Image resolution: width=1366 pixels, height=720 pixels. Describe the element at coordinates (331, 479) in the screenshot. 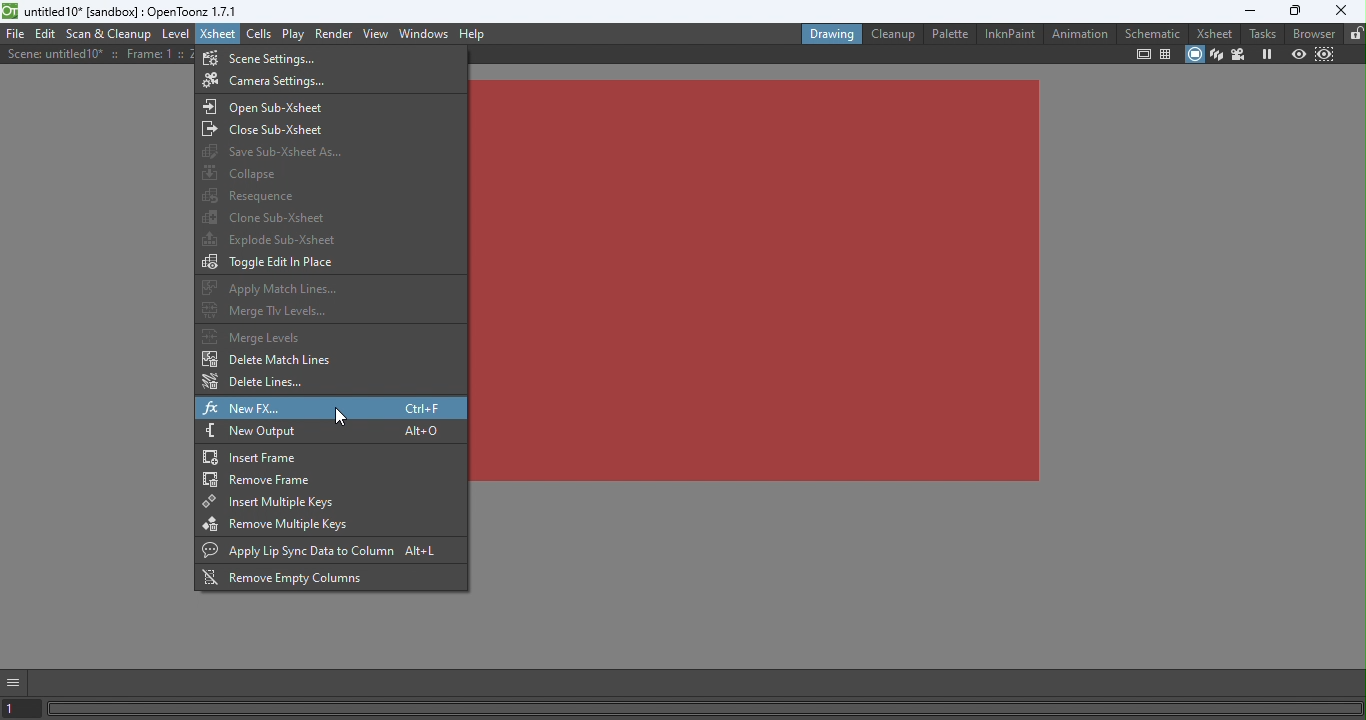

I see `Remove frame` at that location.